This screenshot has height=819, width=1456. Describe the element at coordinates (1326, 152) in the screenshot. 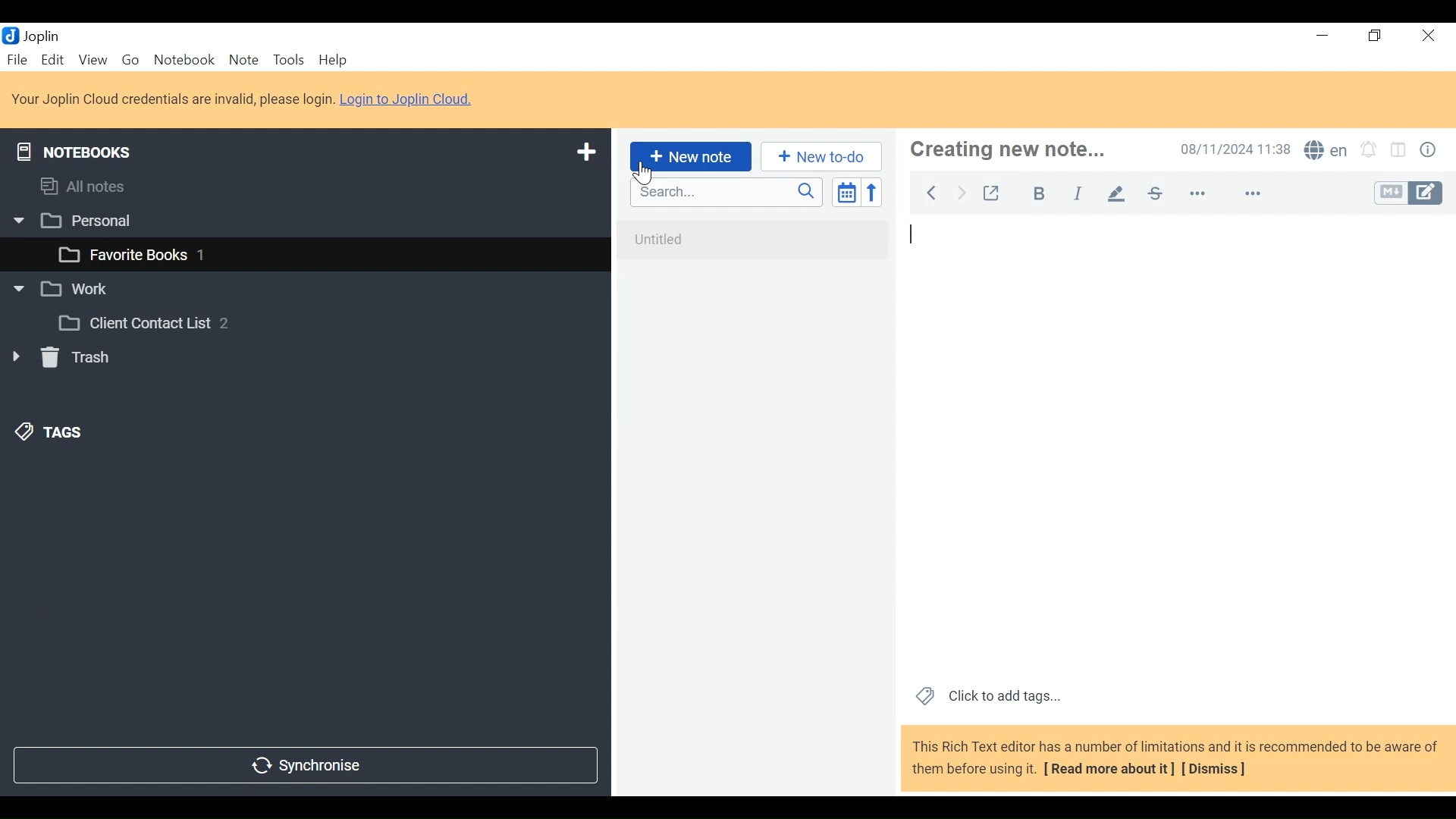

I see `Spell Checker` at that location.